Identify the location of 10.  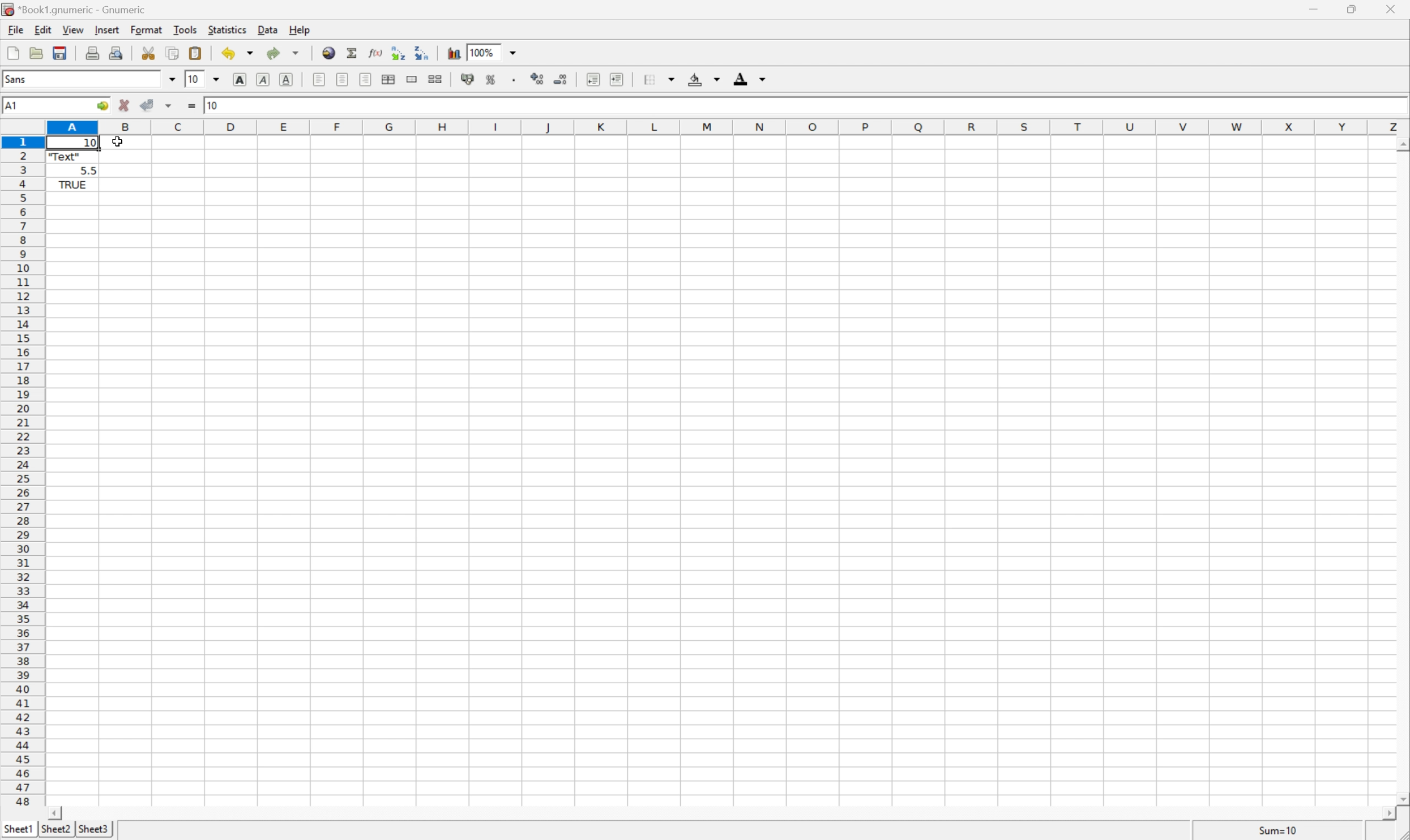
(211, 105).